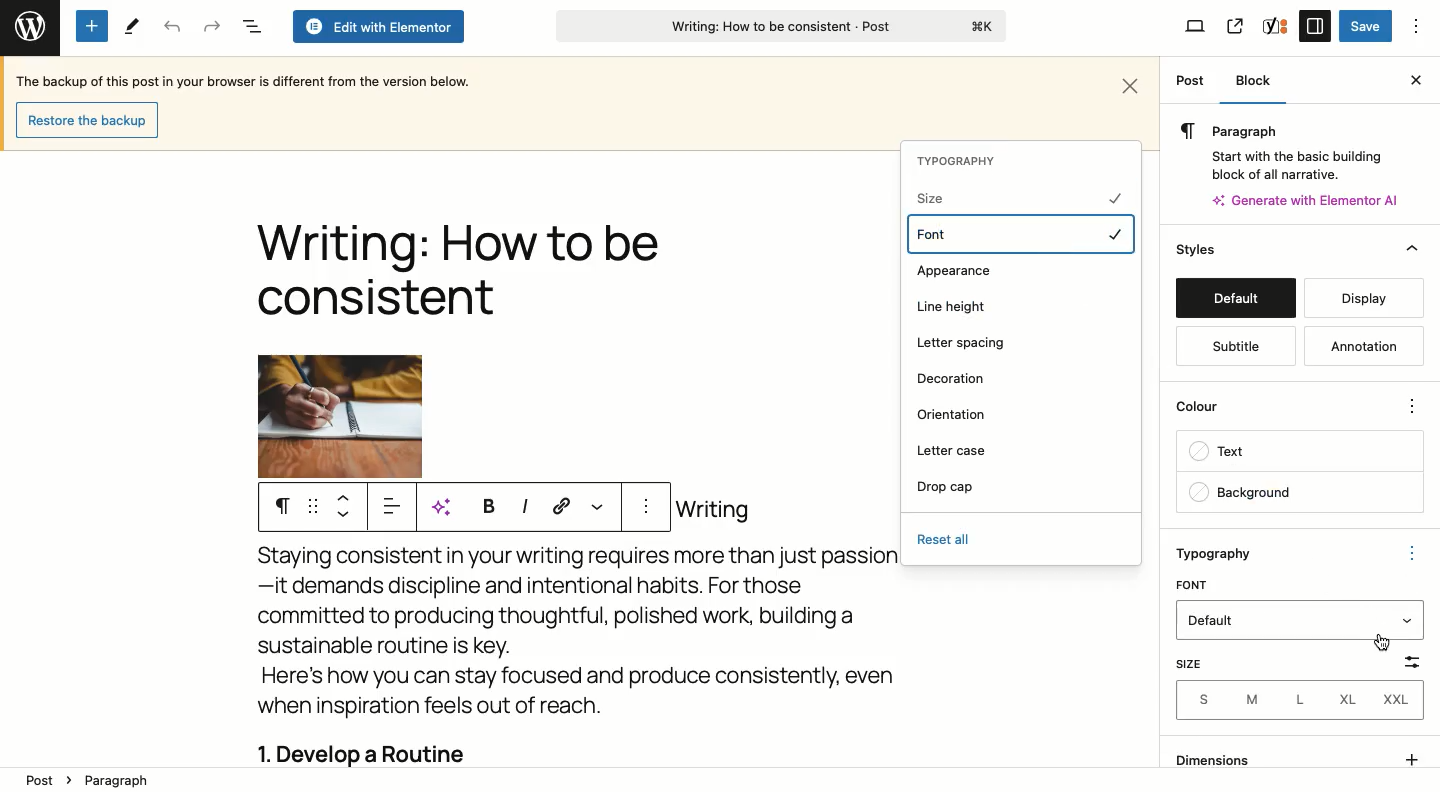  Describe the element at coordinates (1405, 620) in the screenshot. I see `Show` at that location.